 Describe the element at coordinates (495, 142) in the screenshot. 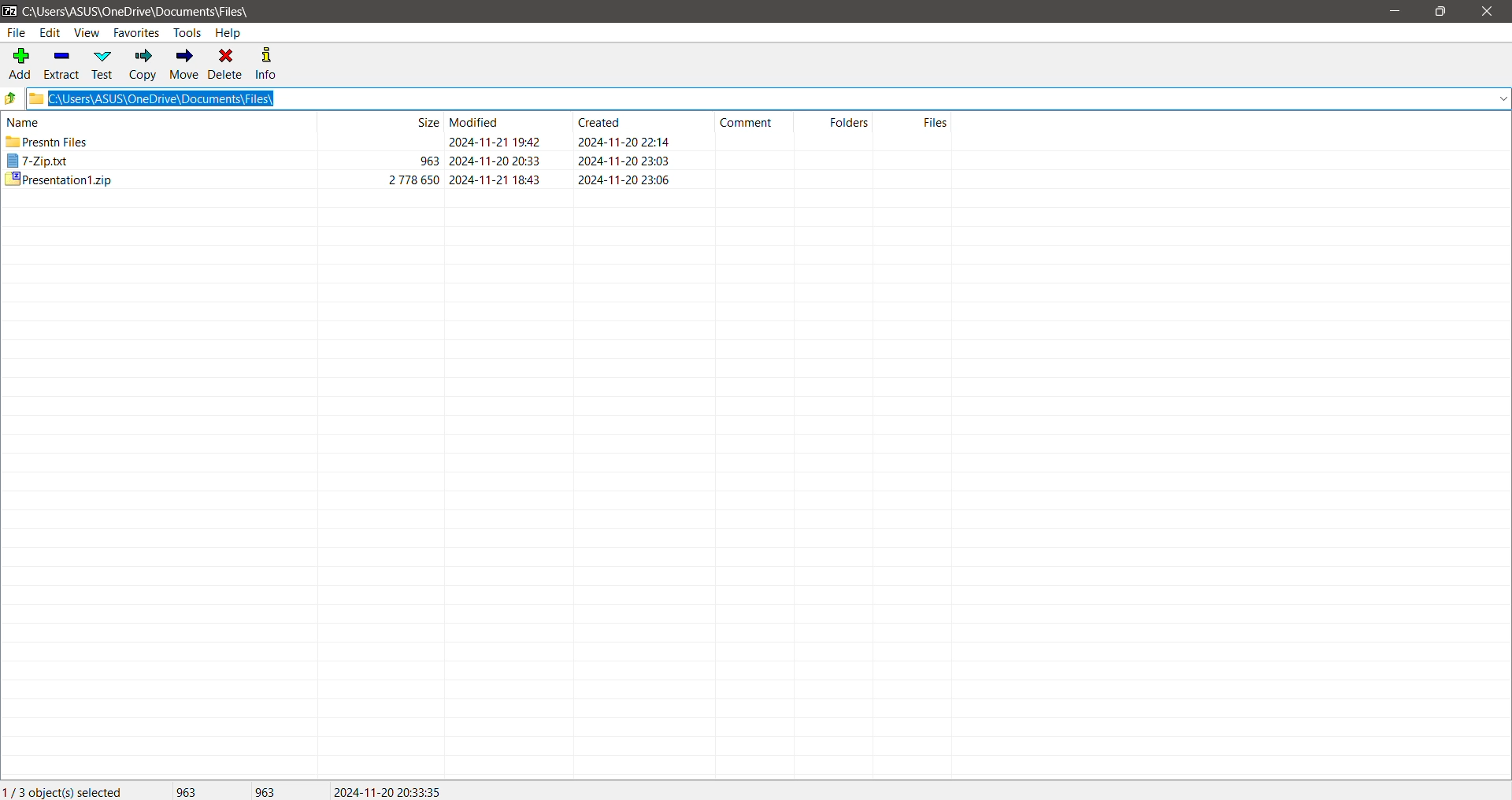

I see `modified date & time` at that location.